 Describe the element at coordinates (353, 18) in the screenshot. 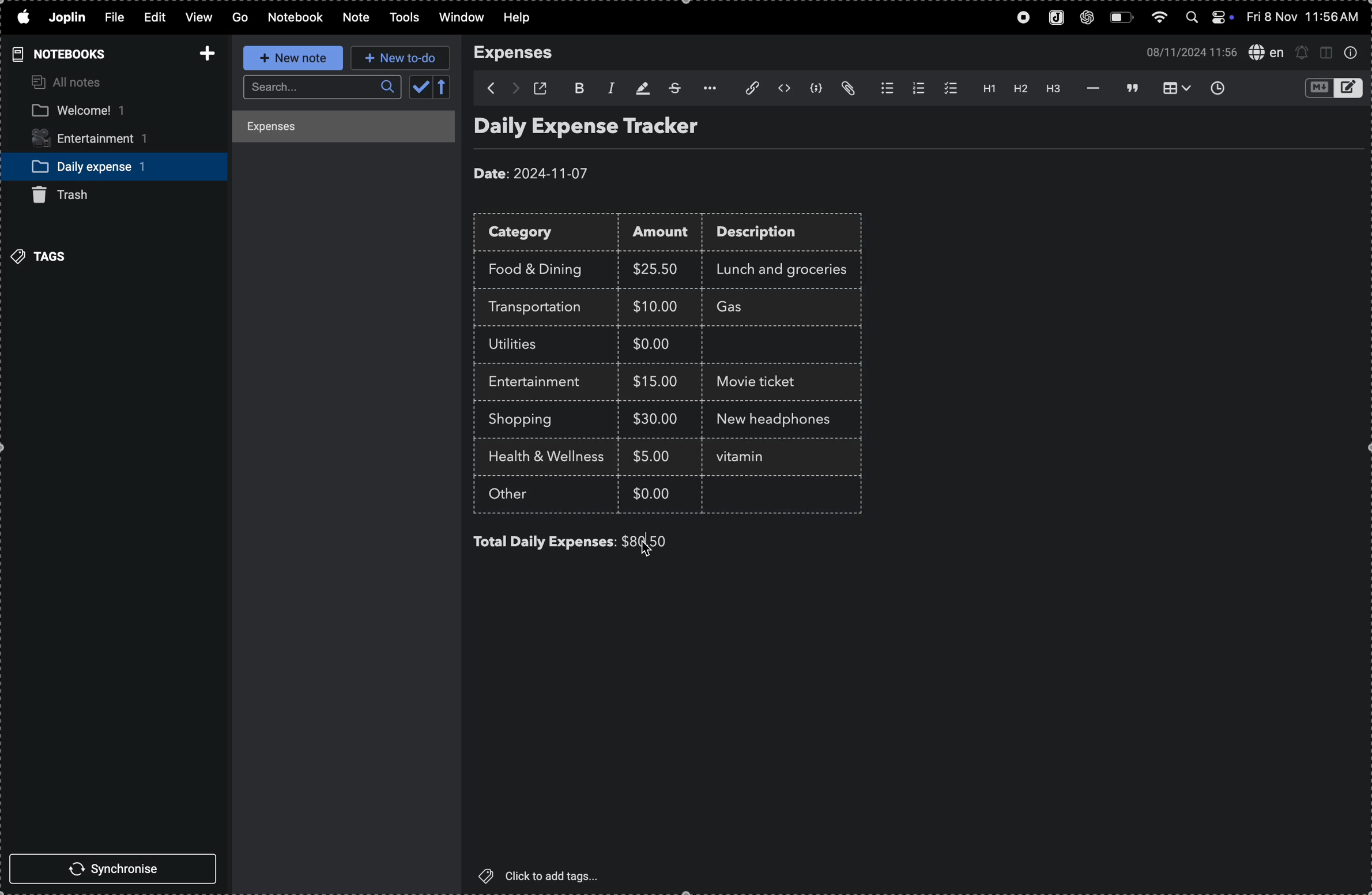

I see `note` at that location.